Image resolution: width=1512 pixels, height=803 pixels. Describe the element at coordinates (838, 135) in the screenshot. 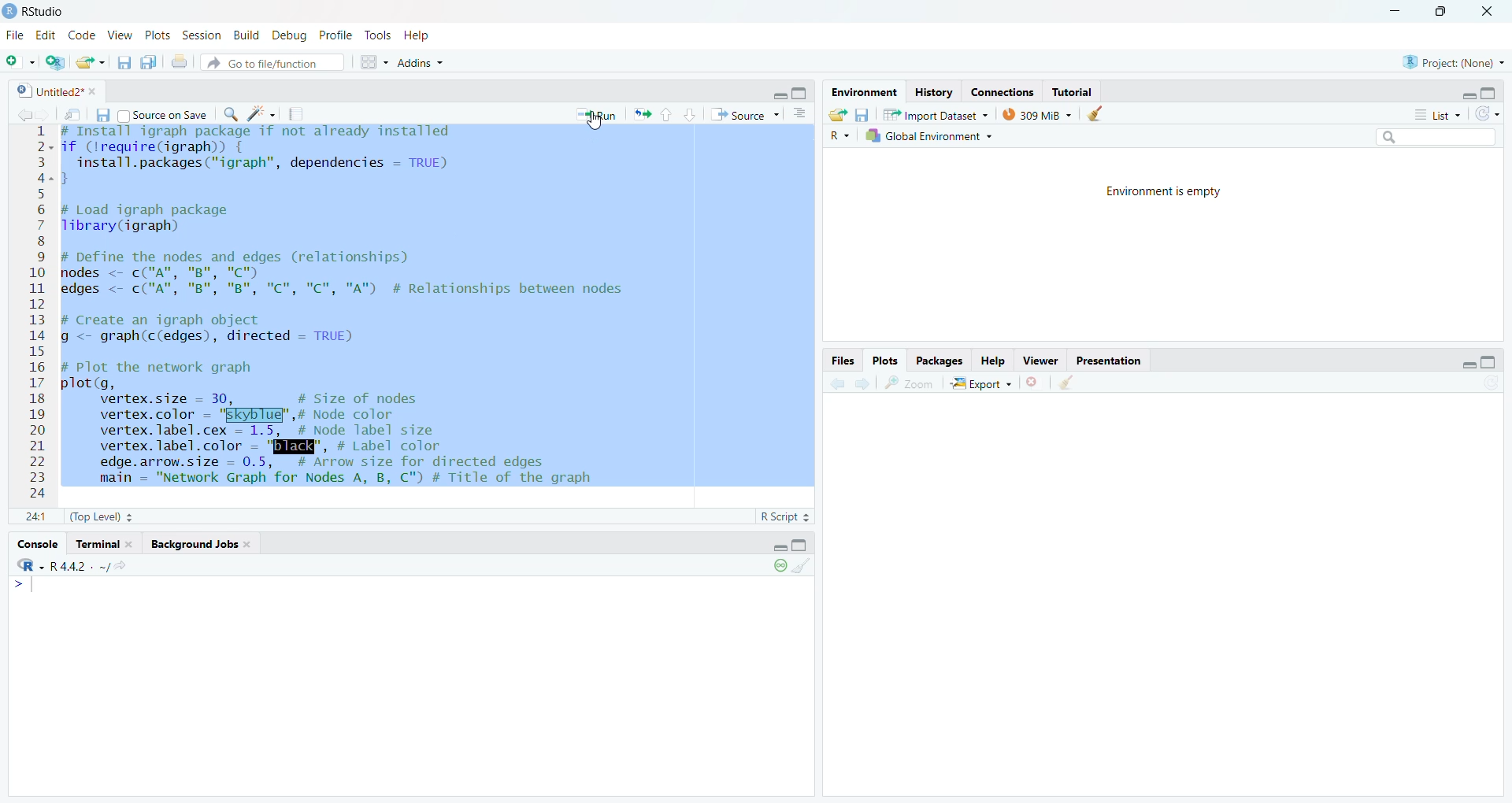

I see `R` at that location.